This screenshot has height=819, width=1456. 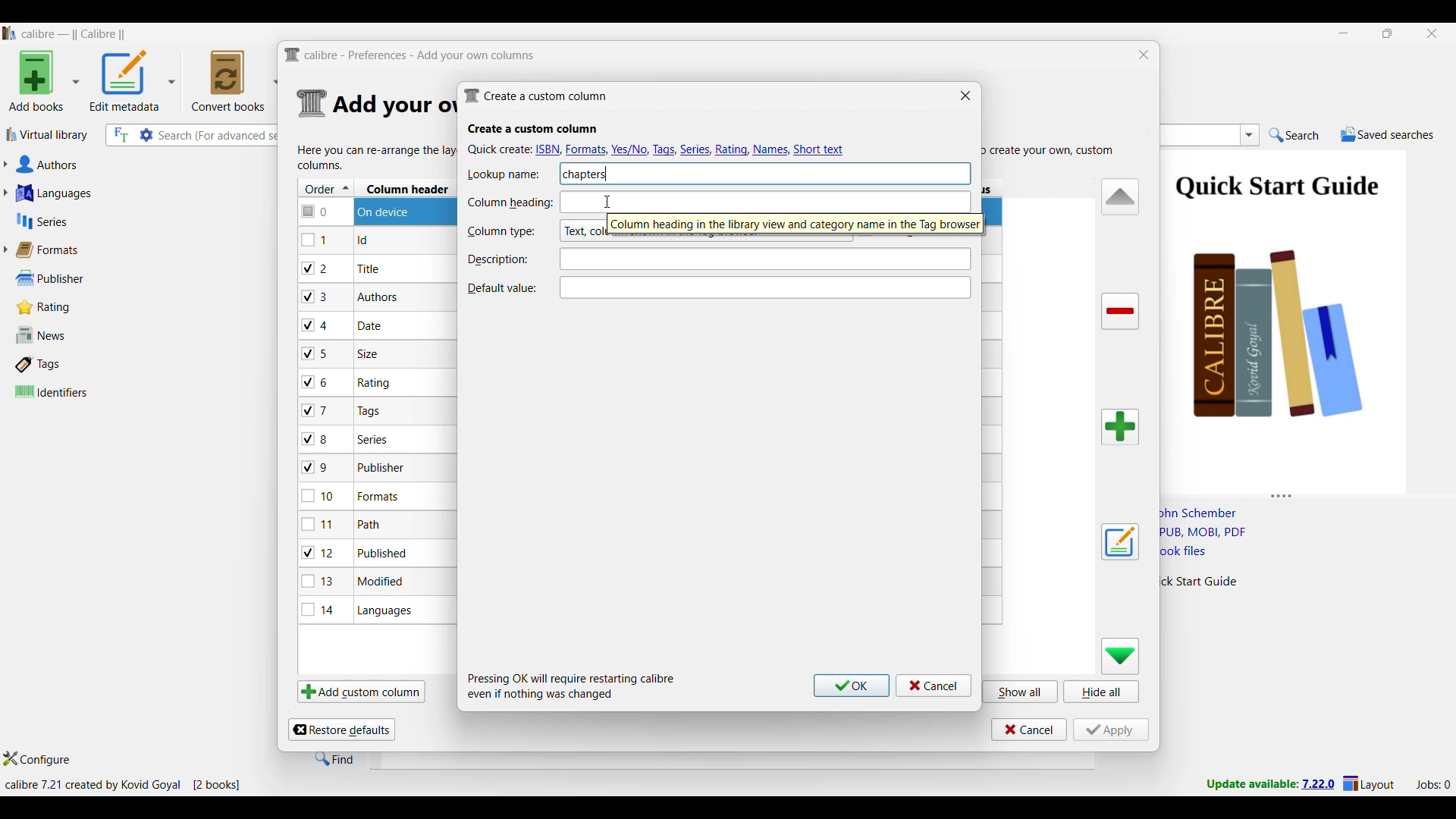 What do you see at coordinates (318, 383) in the screenshot?
I see `checkbox - 6` at bounding box center [318, 383].